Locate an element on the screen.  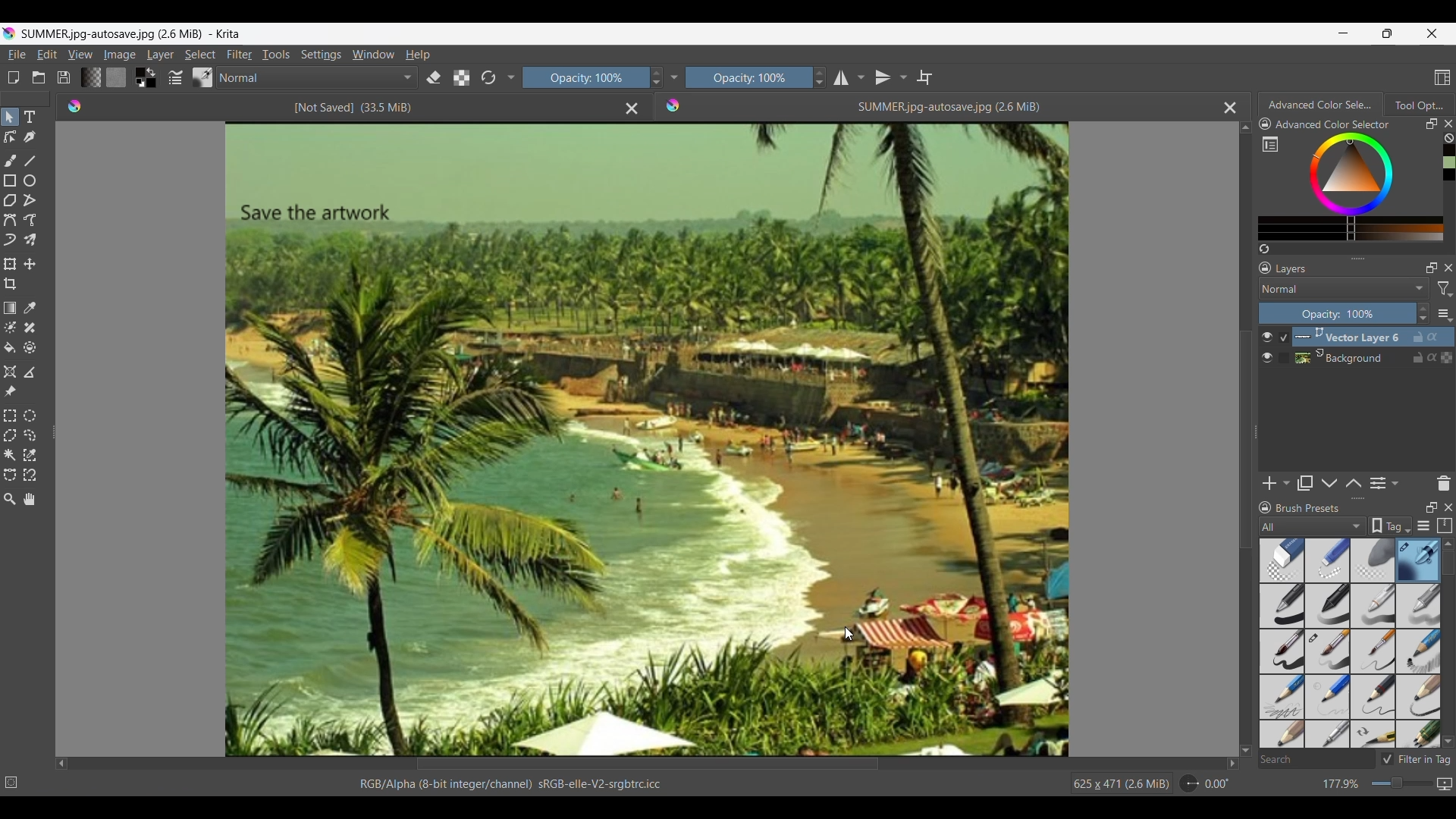
Float Layers panel is located at coordinates (1432, 268).